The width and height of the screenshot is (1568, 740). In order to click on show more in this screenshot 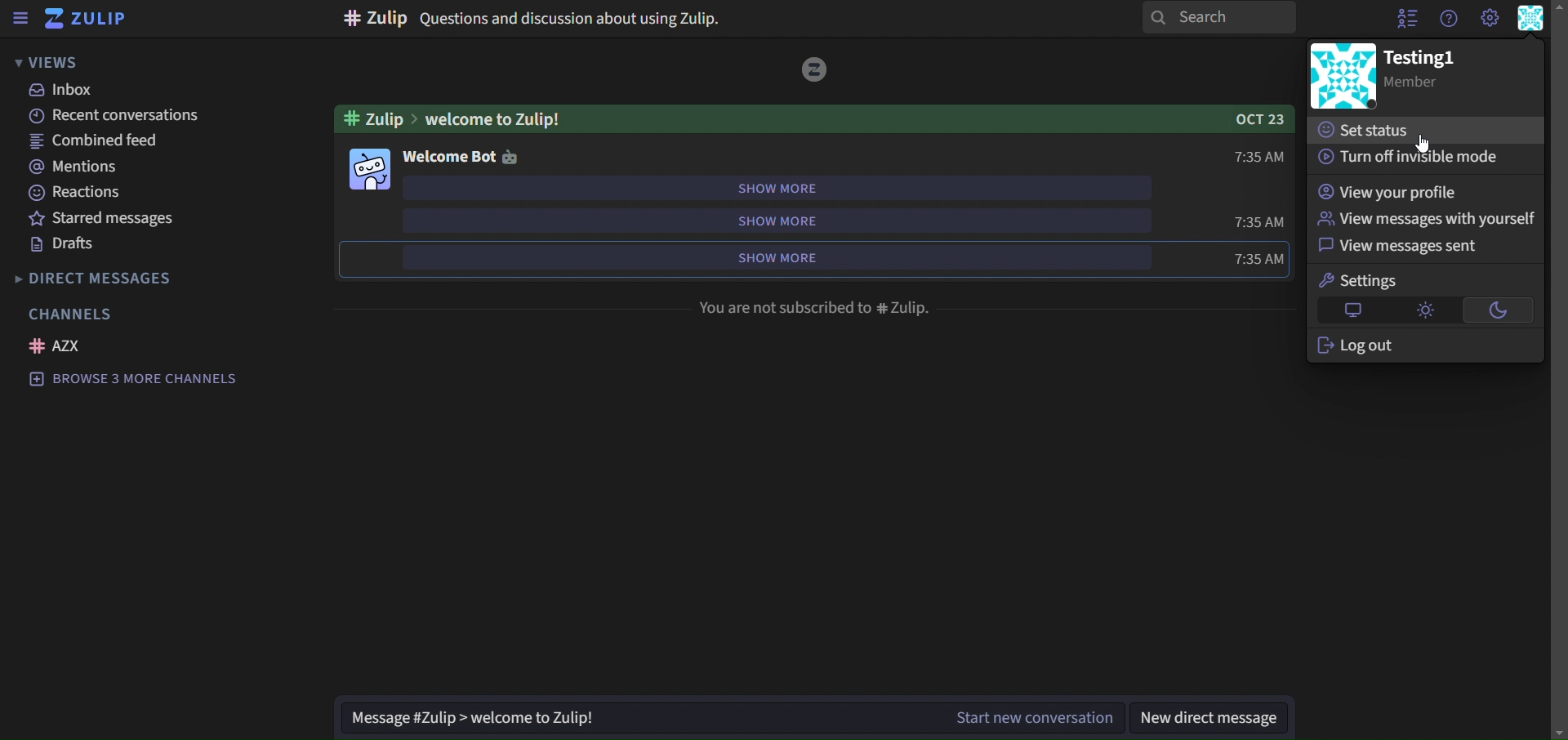, I will do `click(770, 188)`.